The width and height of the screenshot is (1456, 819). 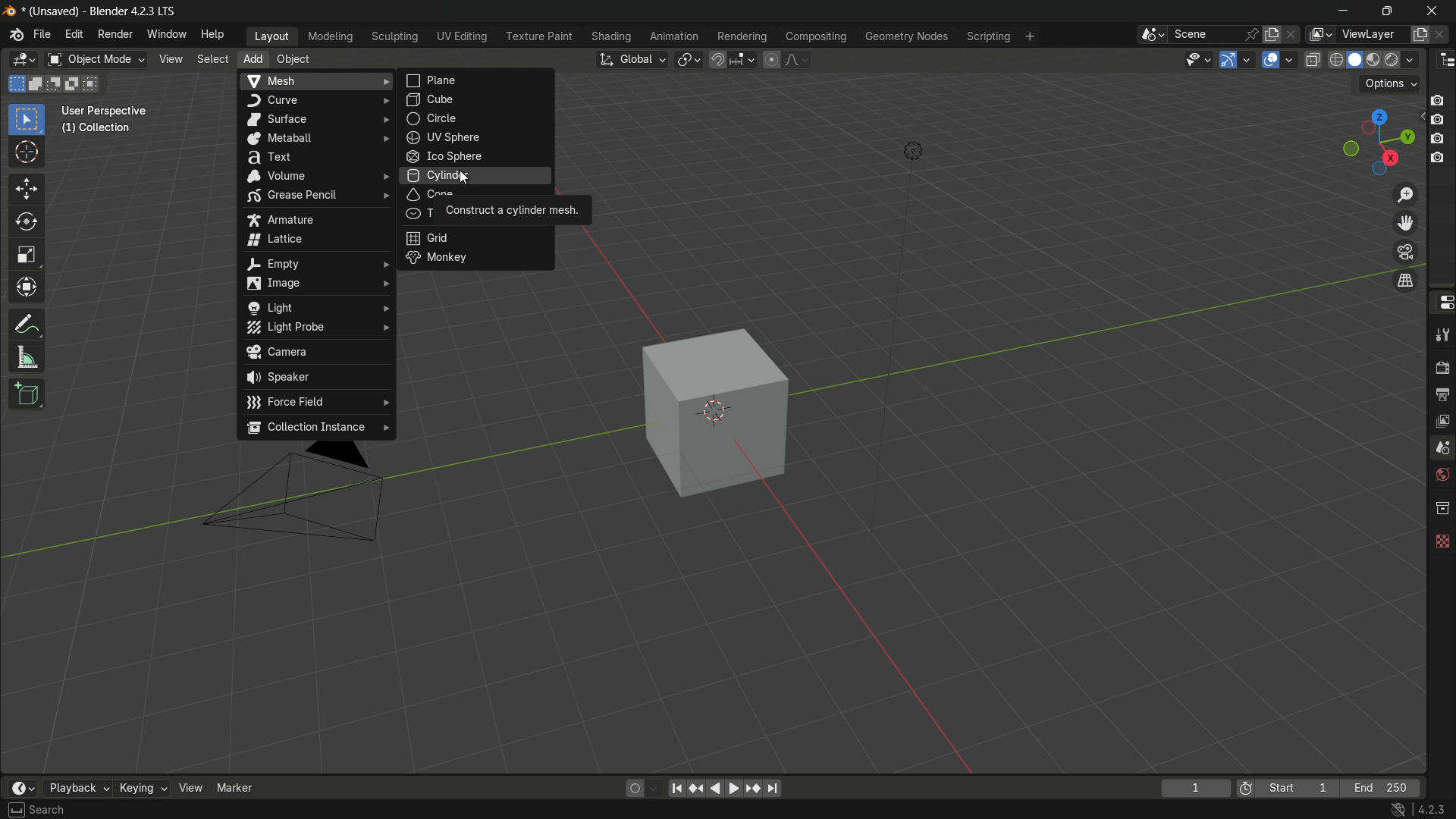 What do you see at coordinates (1439, 139) in the screenshot?
I see `capture` at bounding box center [1439, 139].